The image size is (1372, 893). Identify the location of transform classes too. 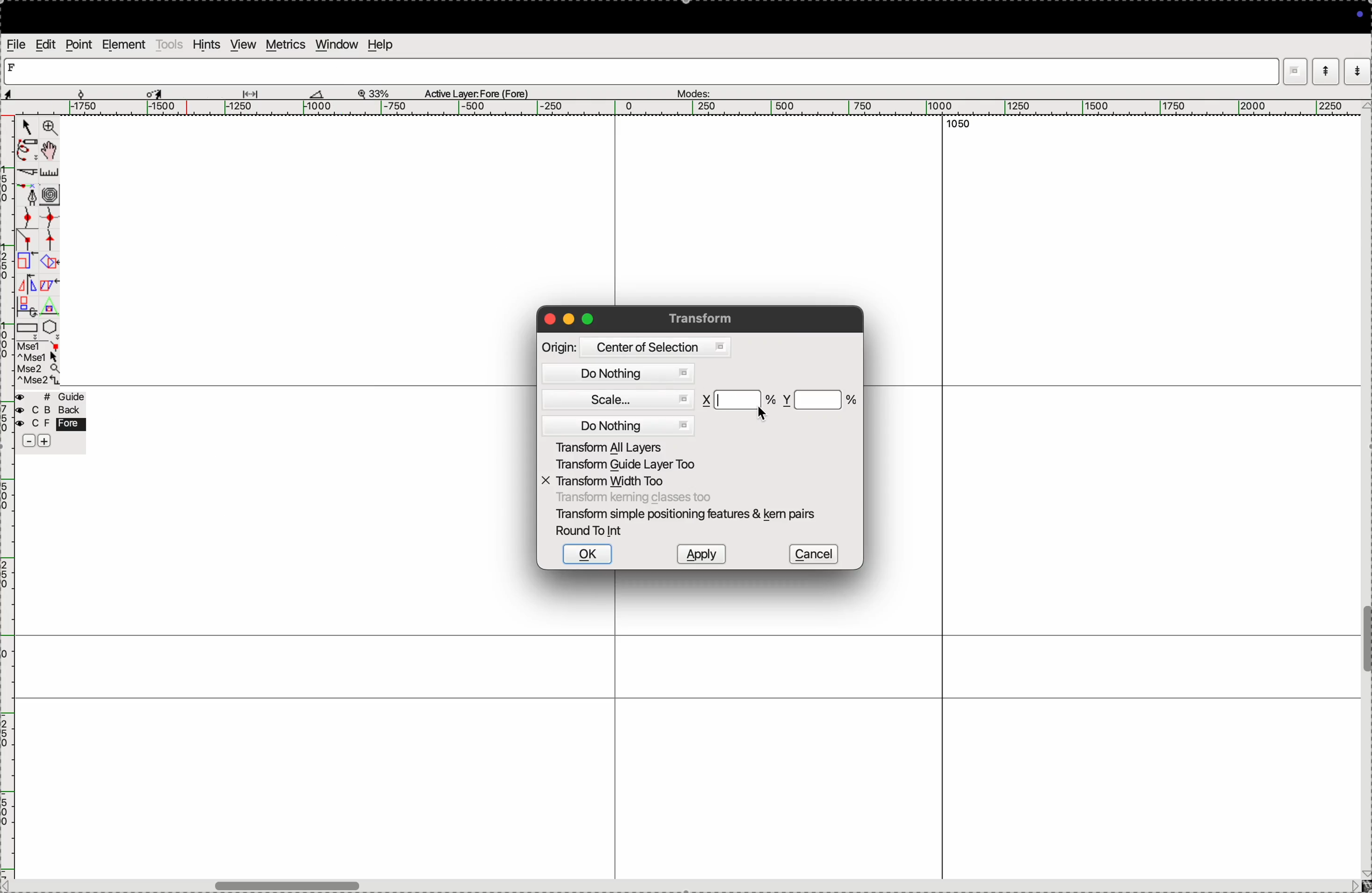
(633, 498).